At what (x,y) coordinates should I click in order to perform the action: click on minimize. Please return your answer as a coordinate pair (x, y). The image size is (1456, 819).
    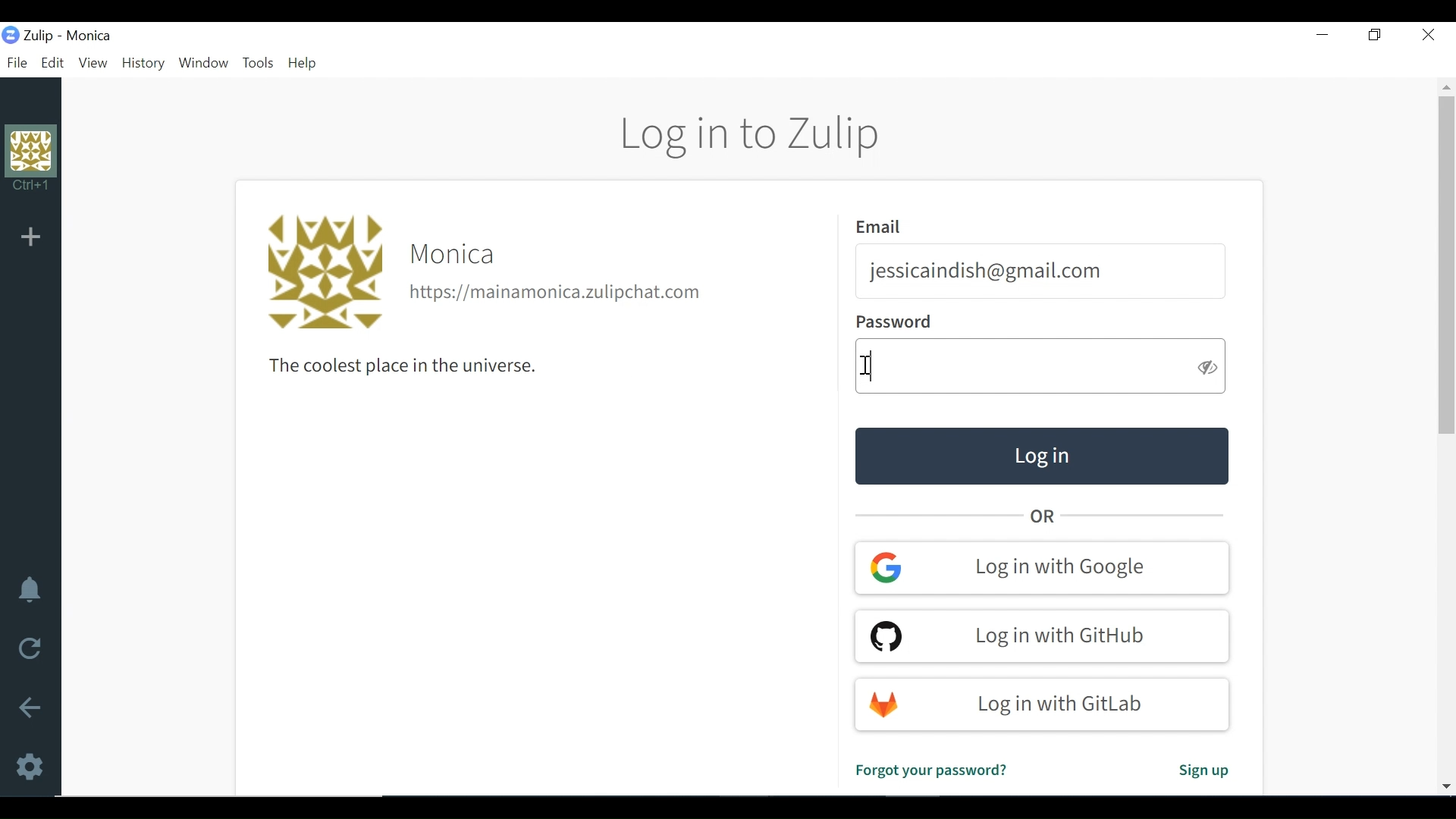
    Looking at the image, I should click on (1322, 35).